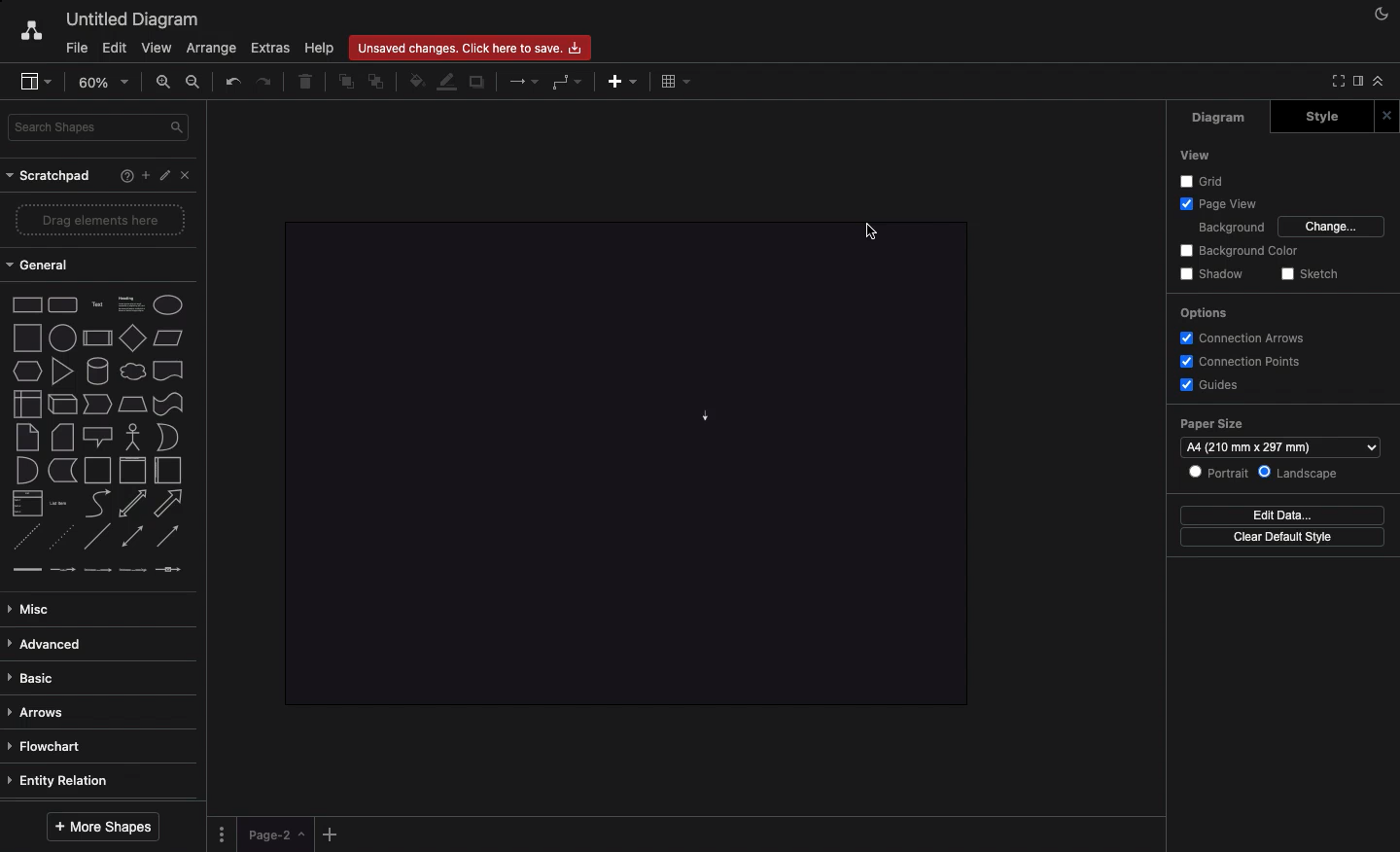 The image size is (1400, 852). What do you see at coordinates (1194, 156) in the screenshot?
I see `View ` at bounding box center [1194, 156].